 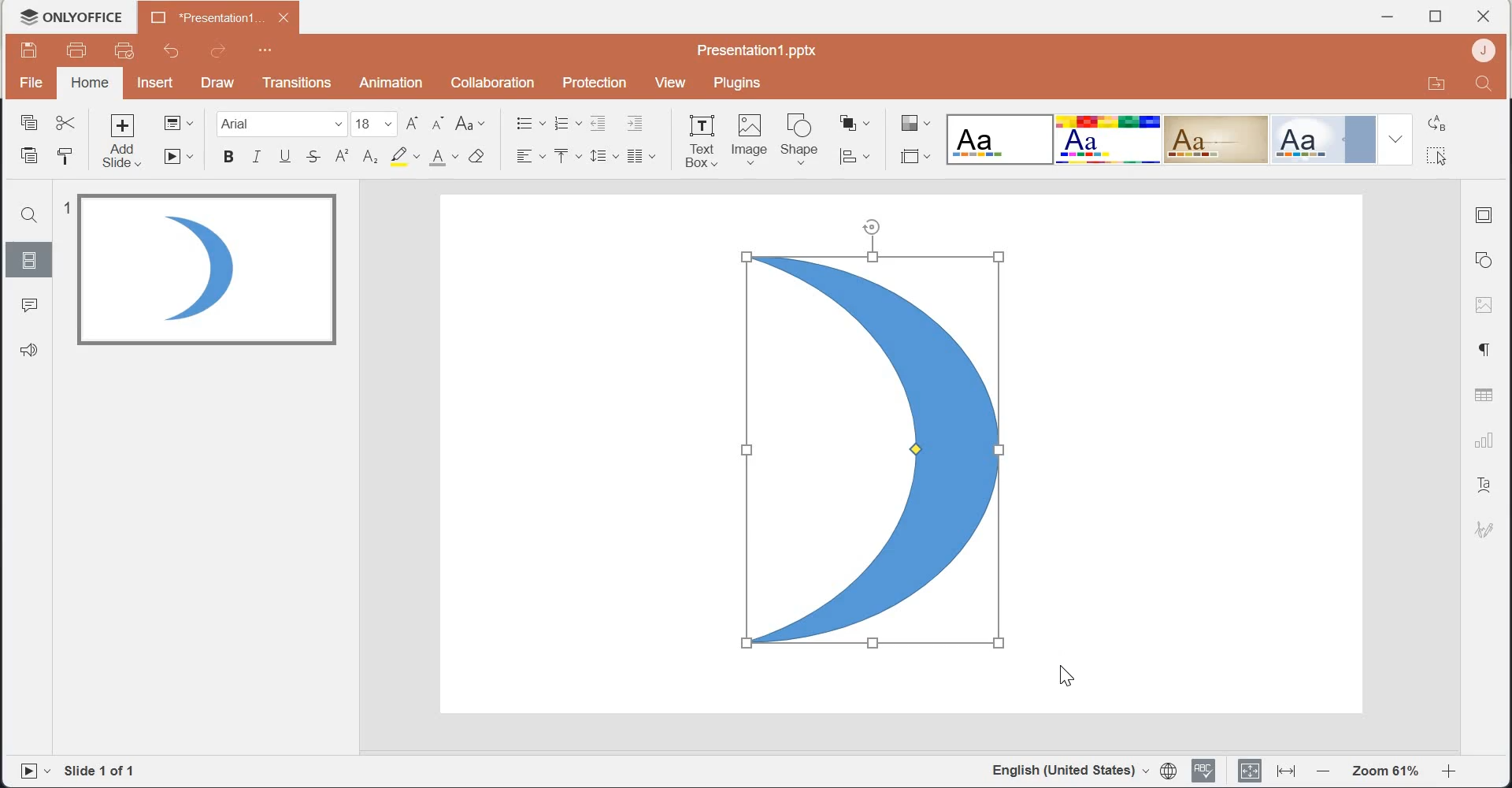 What do you see at coordinates (283, 17) in the screenshot?
I see `close` at bounding box center [283, 17].